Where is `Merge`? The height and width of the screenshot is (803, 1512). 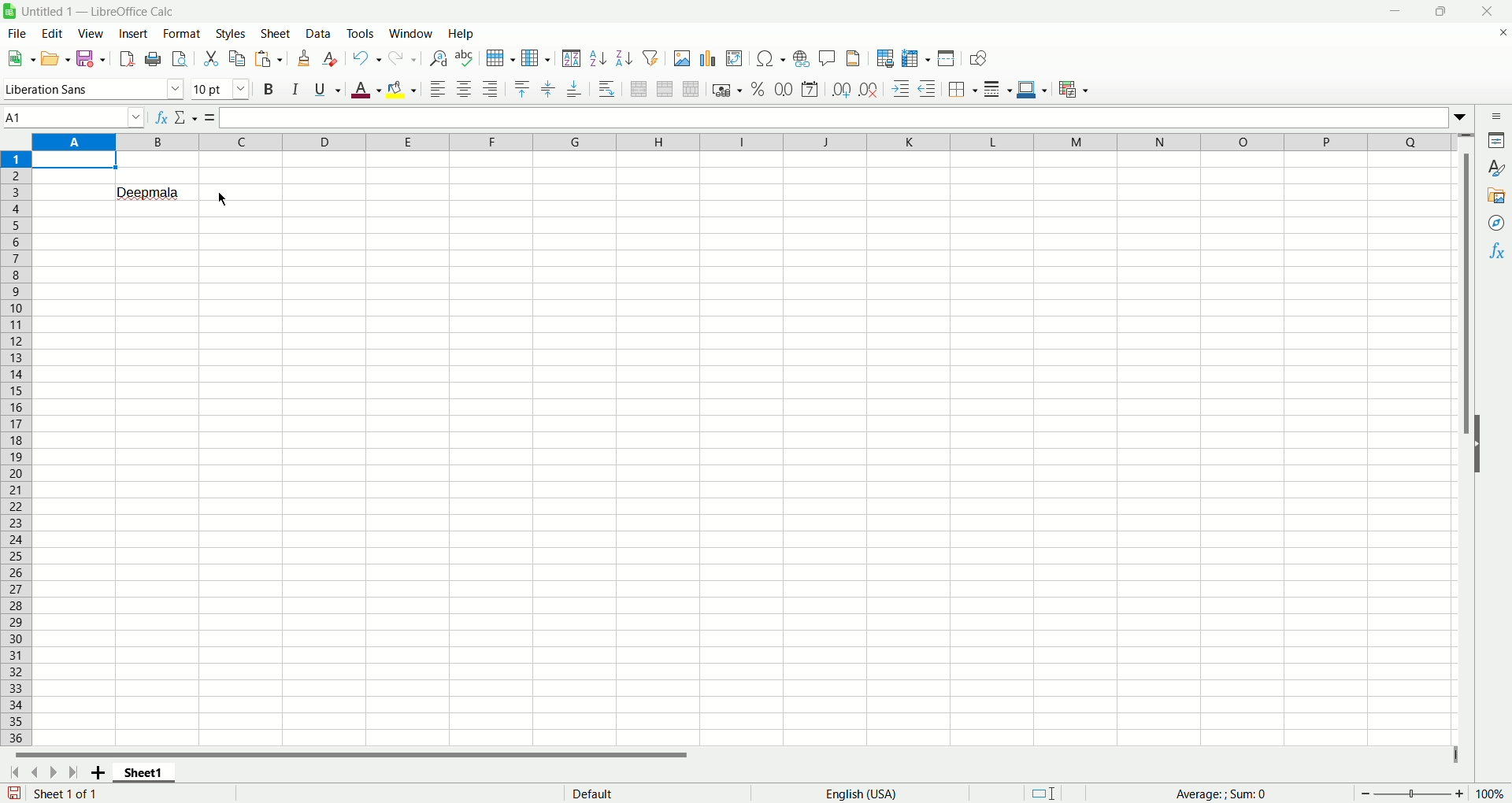 Merge is located at coordinates (665, 89).